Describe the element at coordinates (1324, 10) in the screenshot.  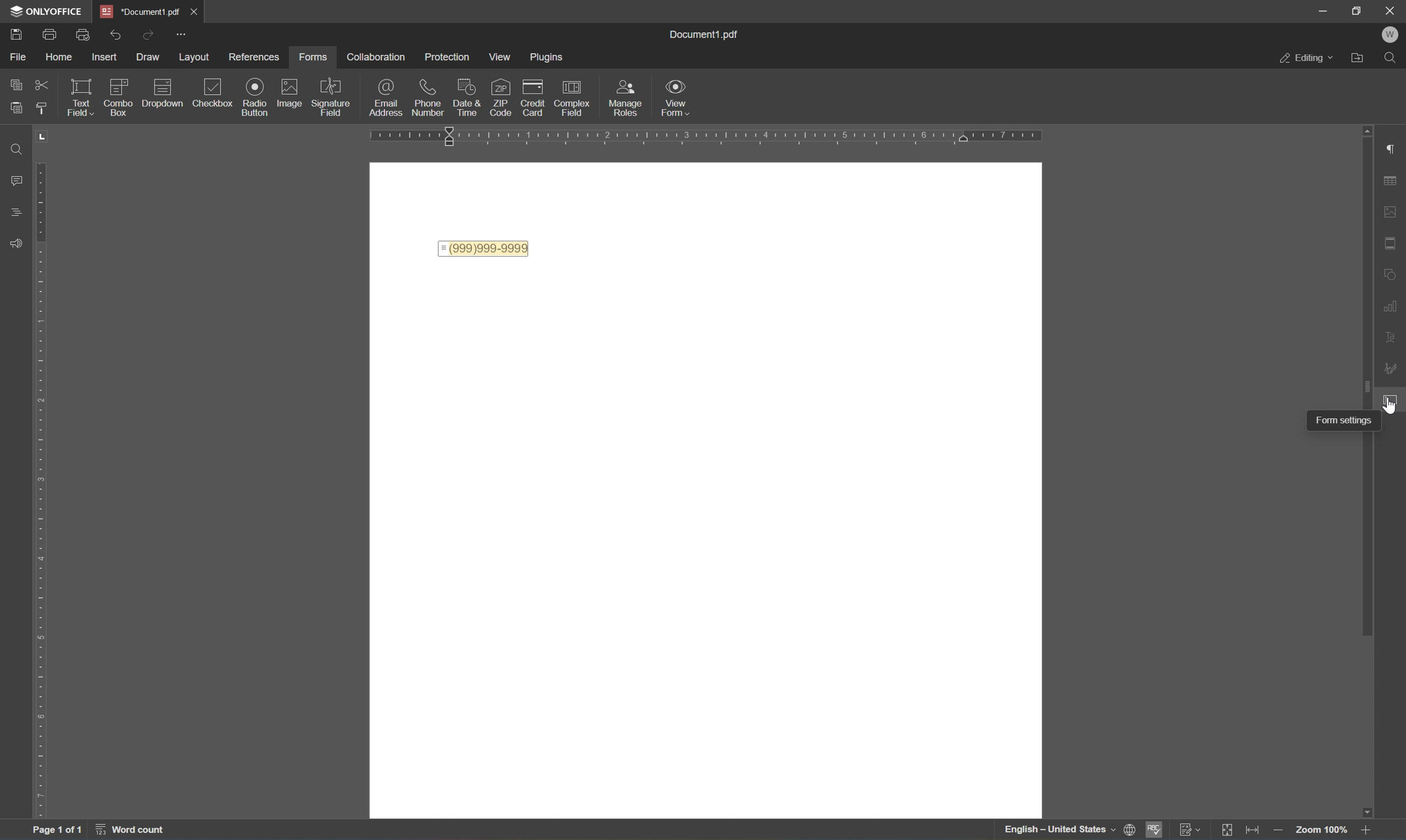
I see `minimize` at that location.